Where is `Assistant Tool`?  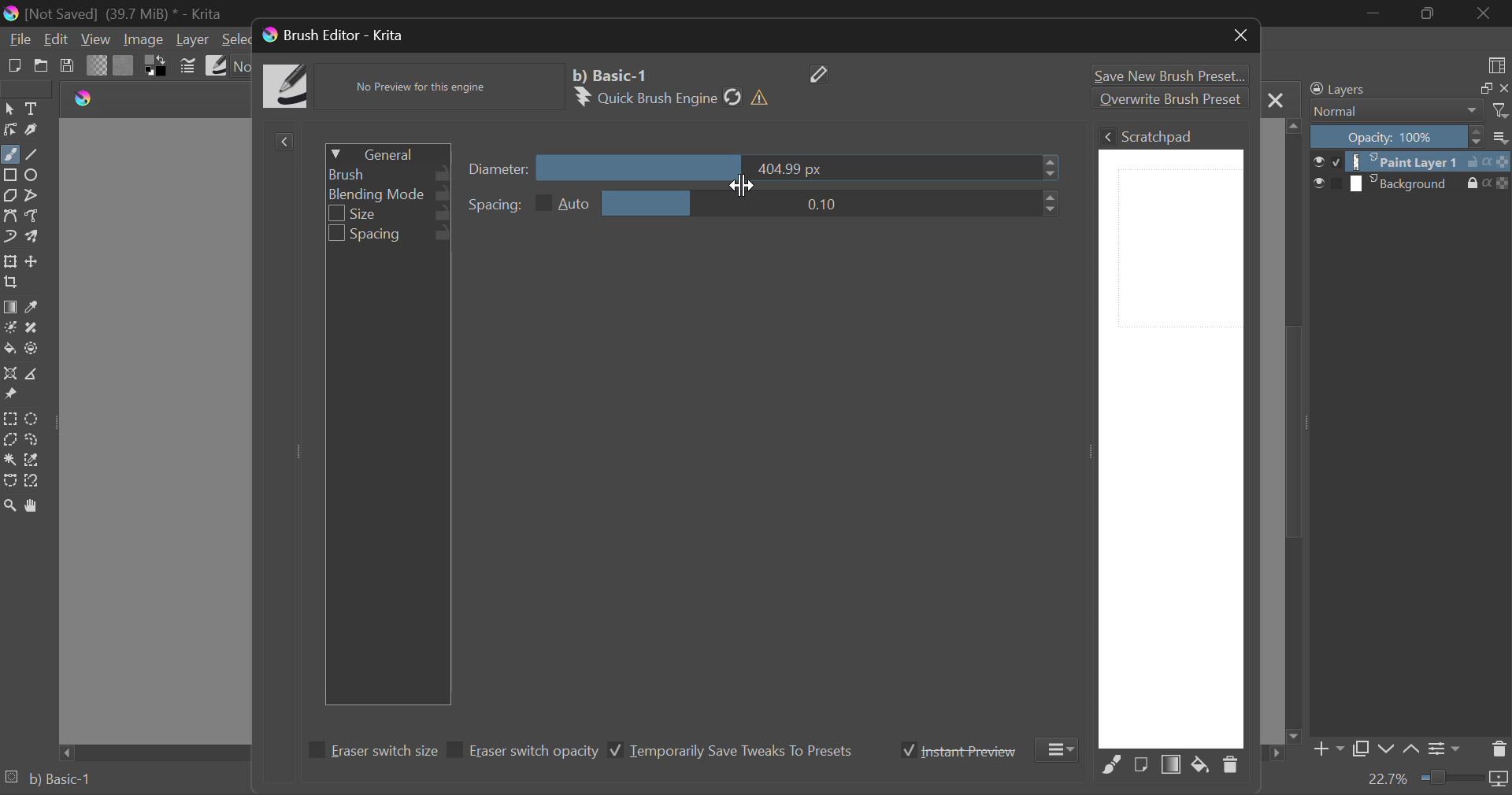
Assistant Tool is located at coordinates (11, 374).